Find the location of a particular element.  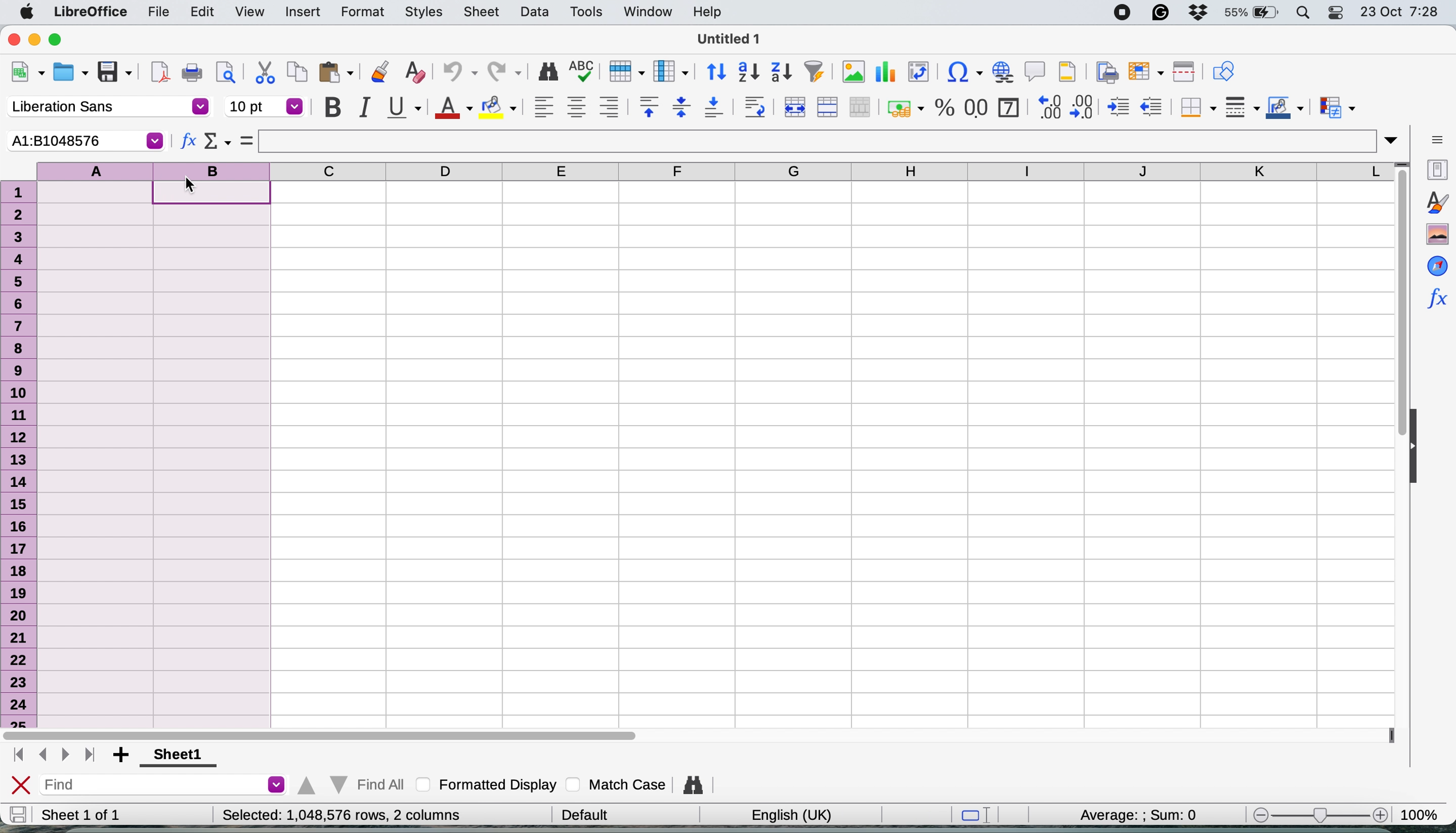

column is located at coordinates (672, 71).